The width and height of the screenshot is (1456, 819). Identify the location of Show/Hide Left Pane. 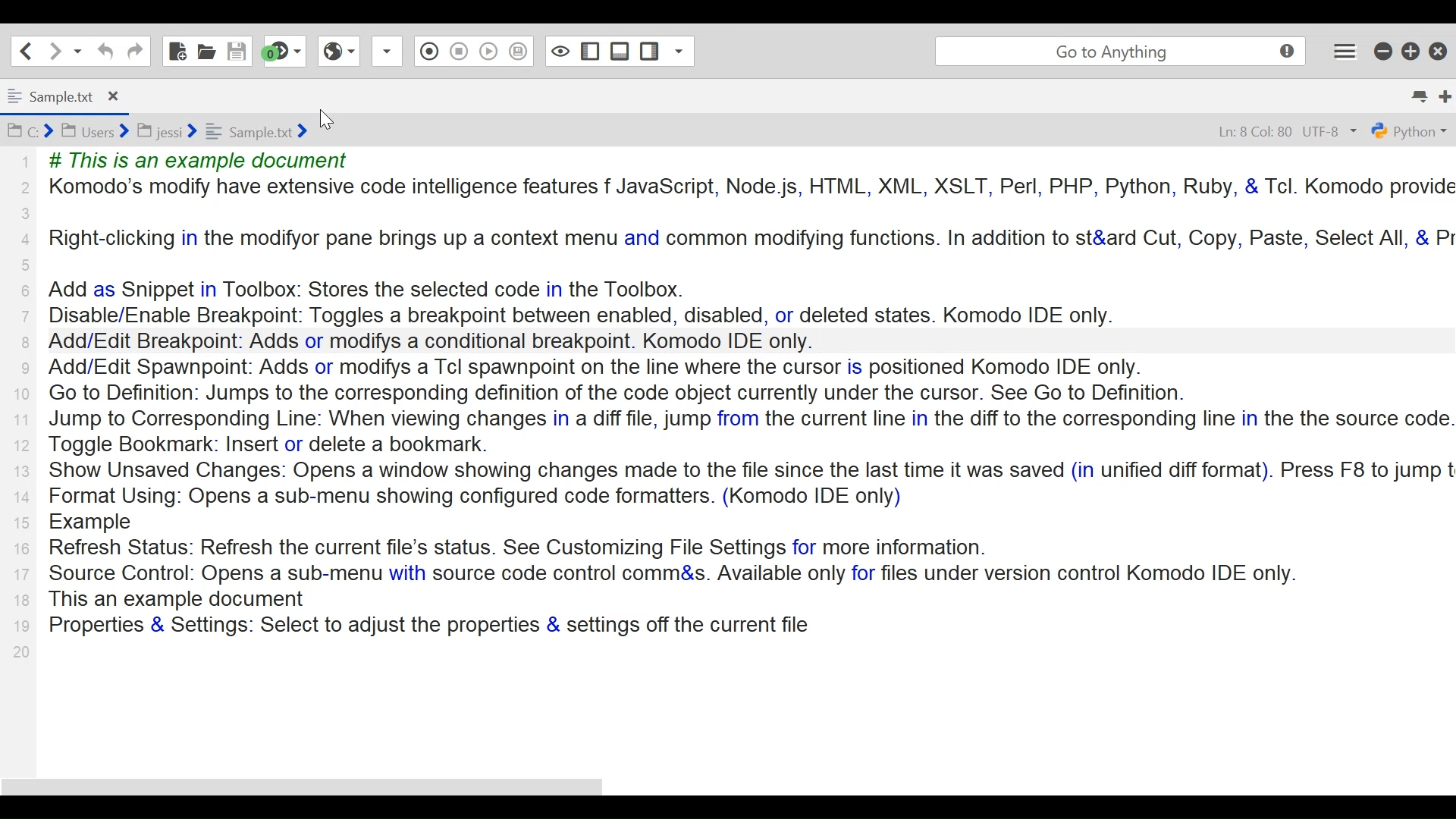
(590, 52).